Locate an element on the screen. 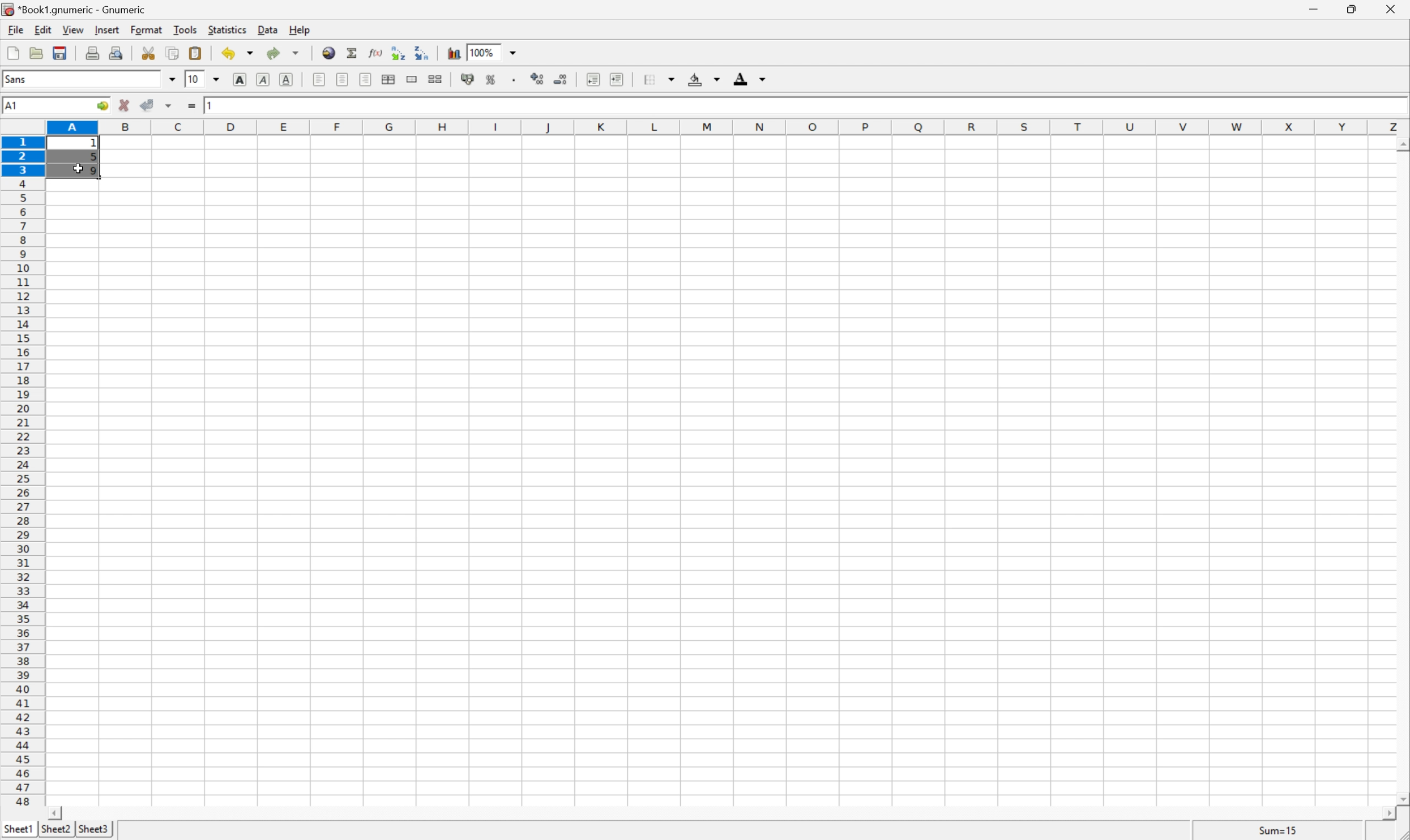 The image size is (1410, 840). decrease number of decimals displayed is located at coordinates (559, 79).